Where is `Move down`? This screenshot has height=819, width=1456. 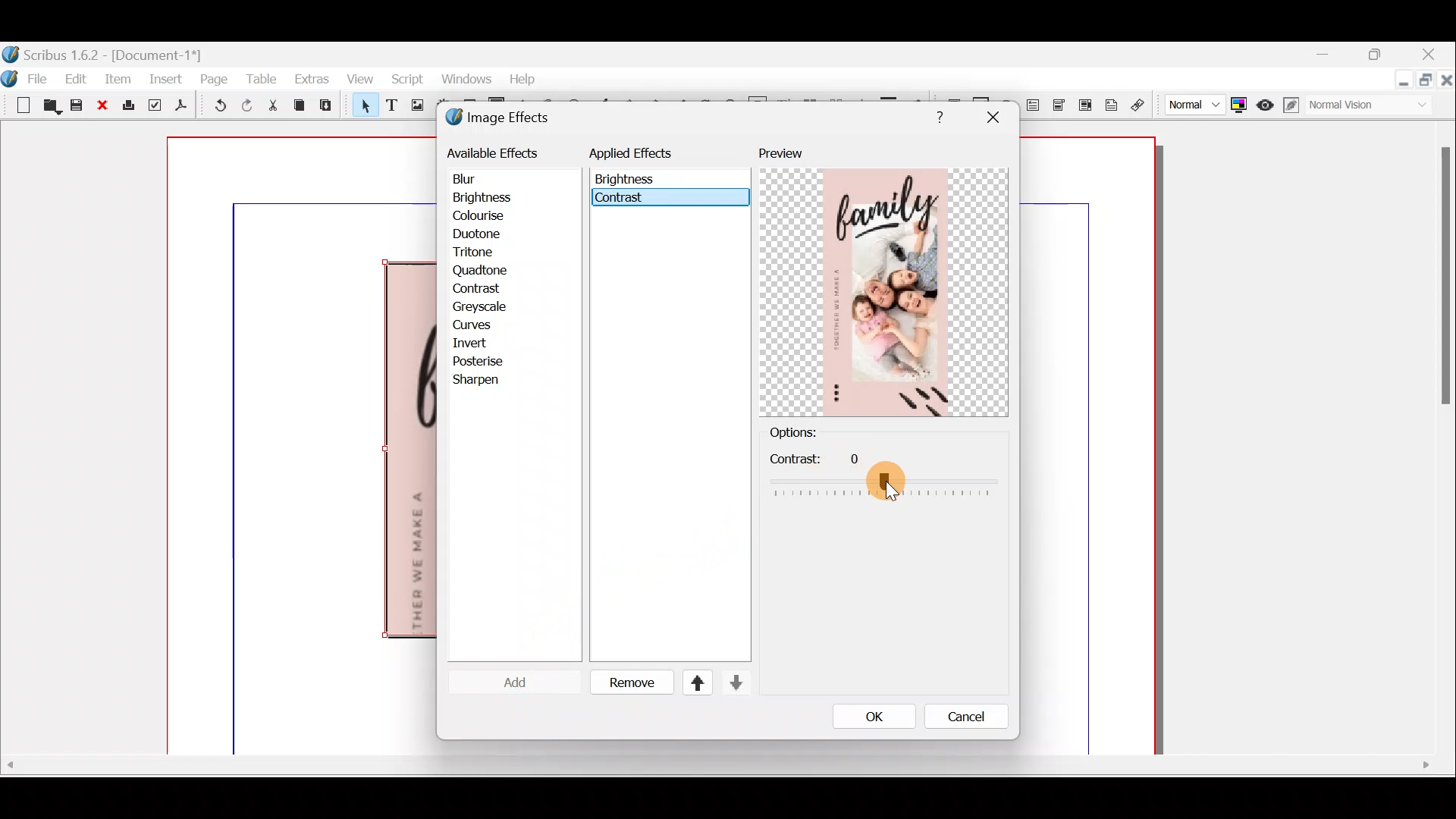 Move down is located at coordinates (734, 682).